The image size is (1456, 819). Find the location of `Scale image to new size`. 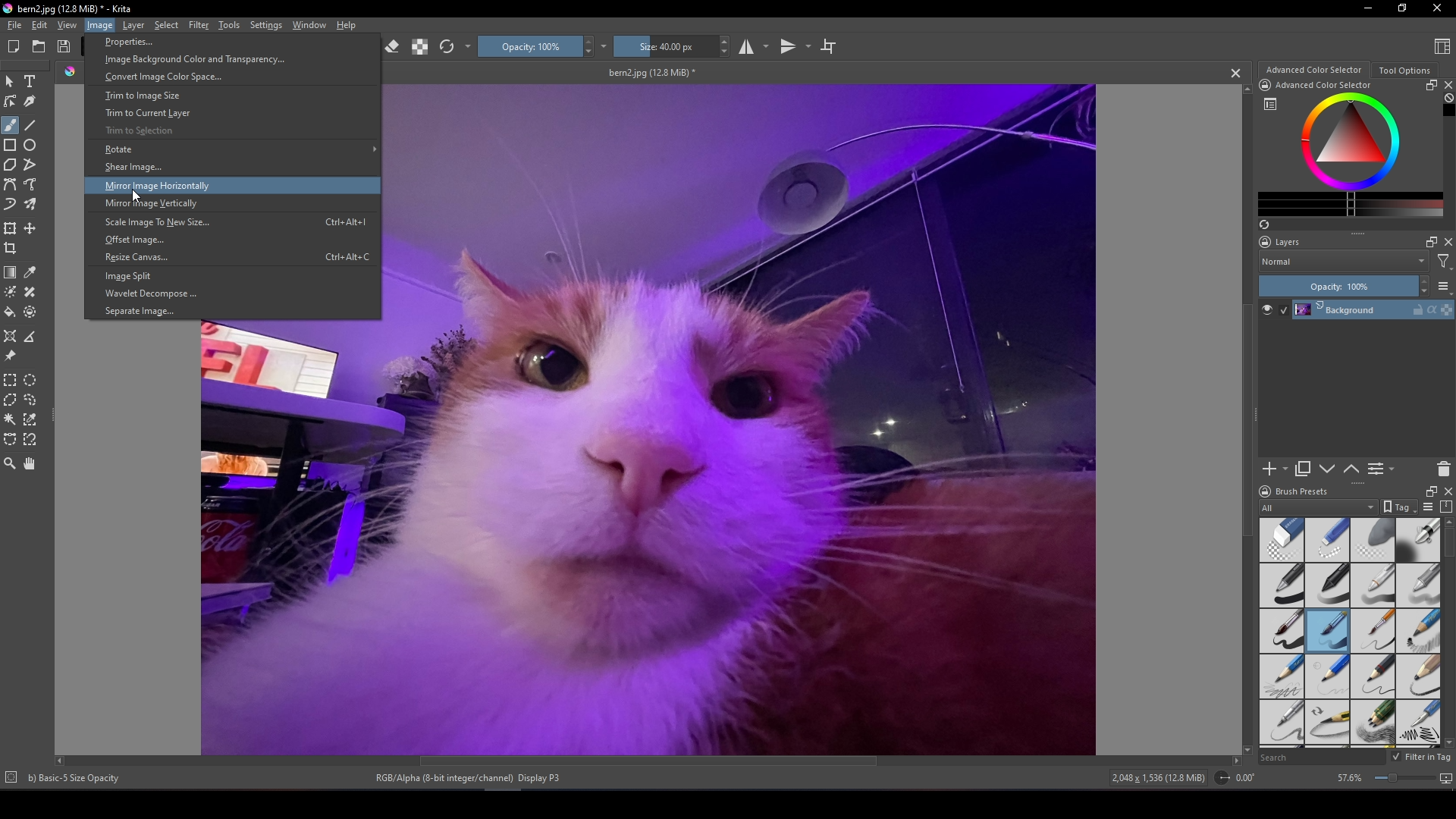

Scale image to new size is located at coordinates (234, 221).